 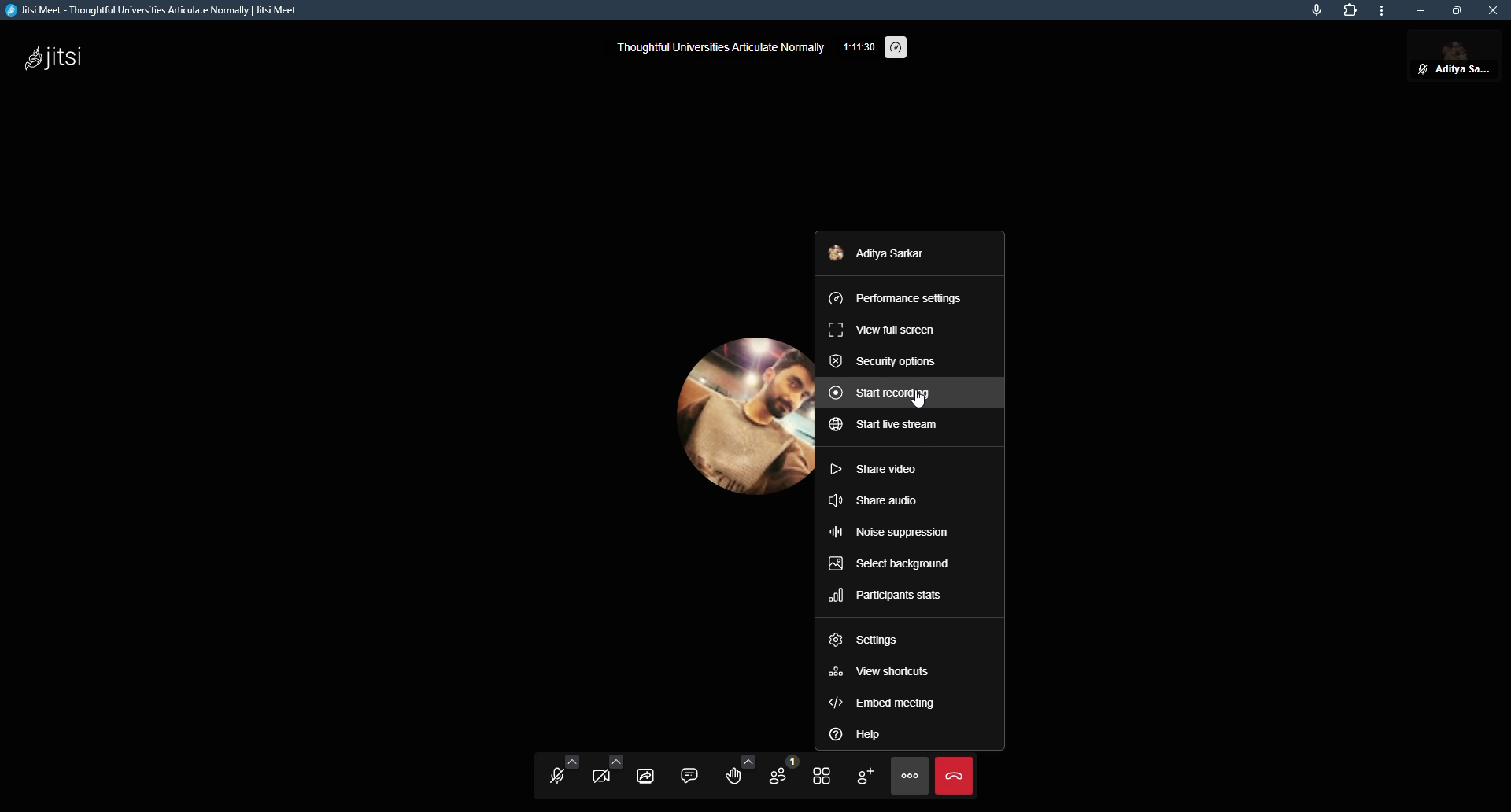 What do you see at coordinates (737, 773) in the screenshot?
I see `raise hand` at bounding box center [737, 773].